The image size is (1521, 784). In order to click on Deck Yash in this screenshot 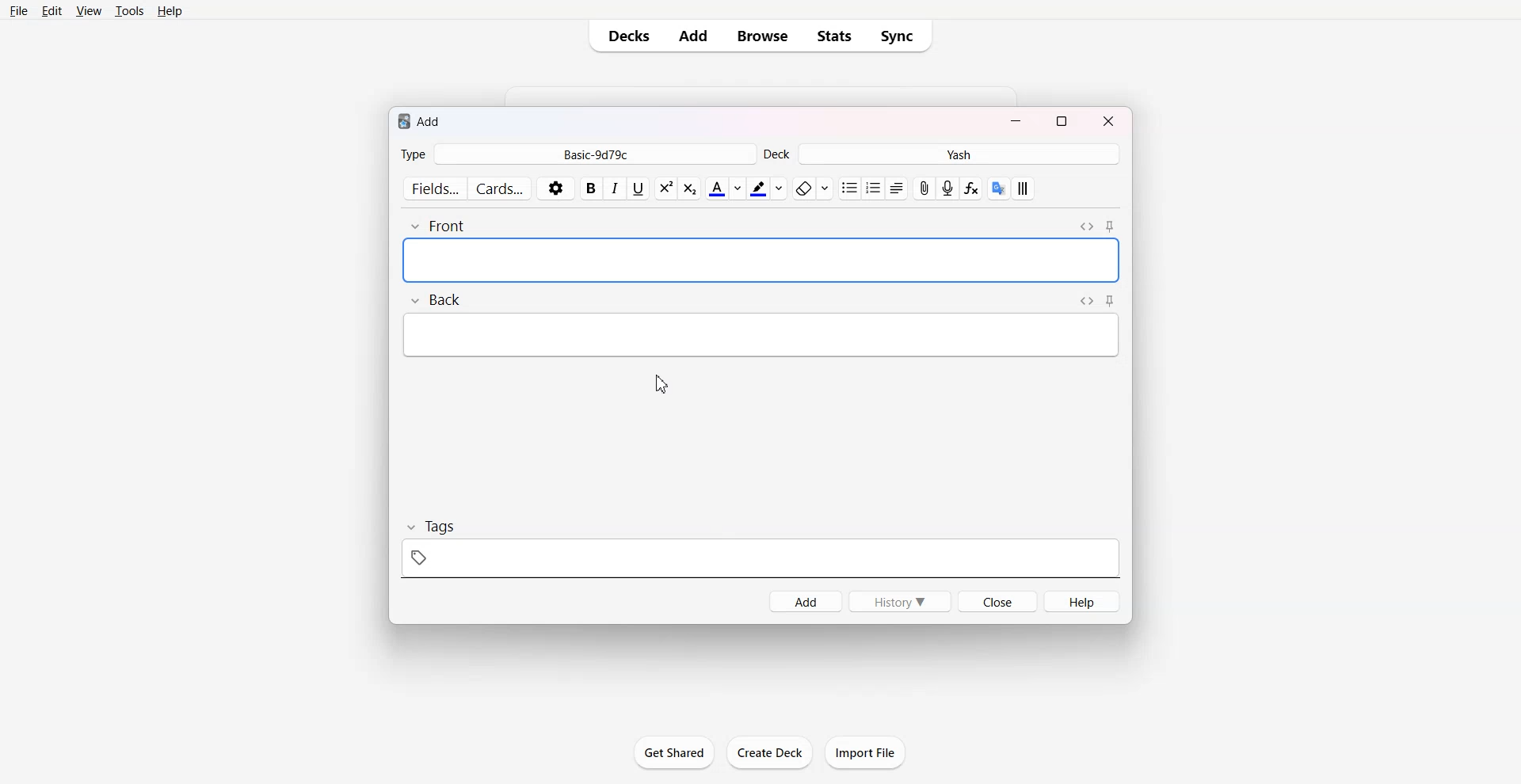, I will do `click(943, 154)`.